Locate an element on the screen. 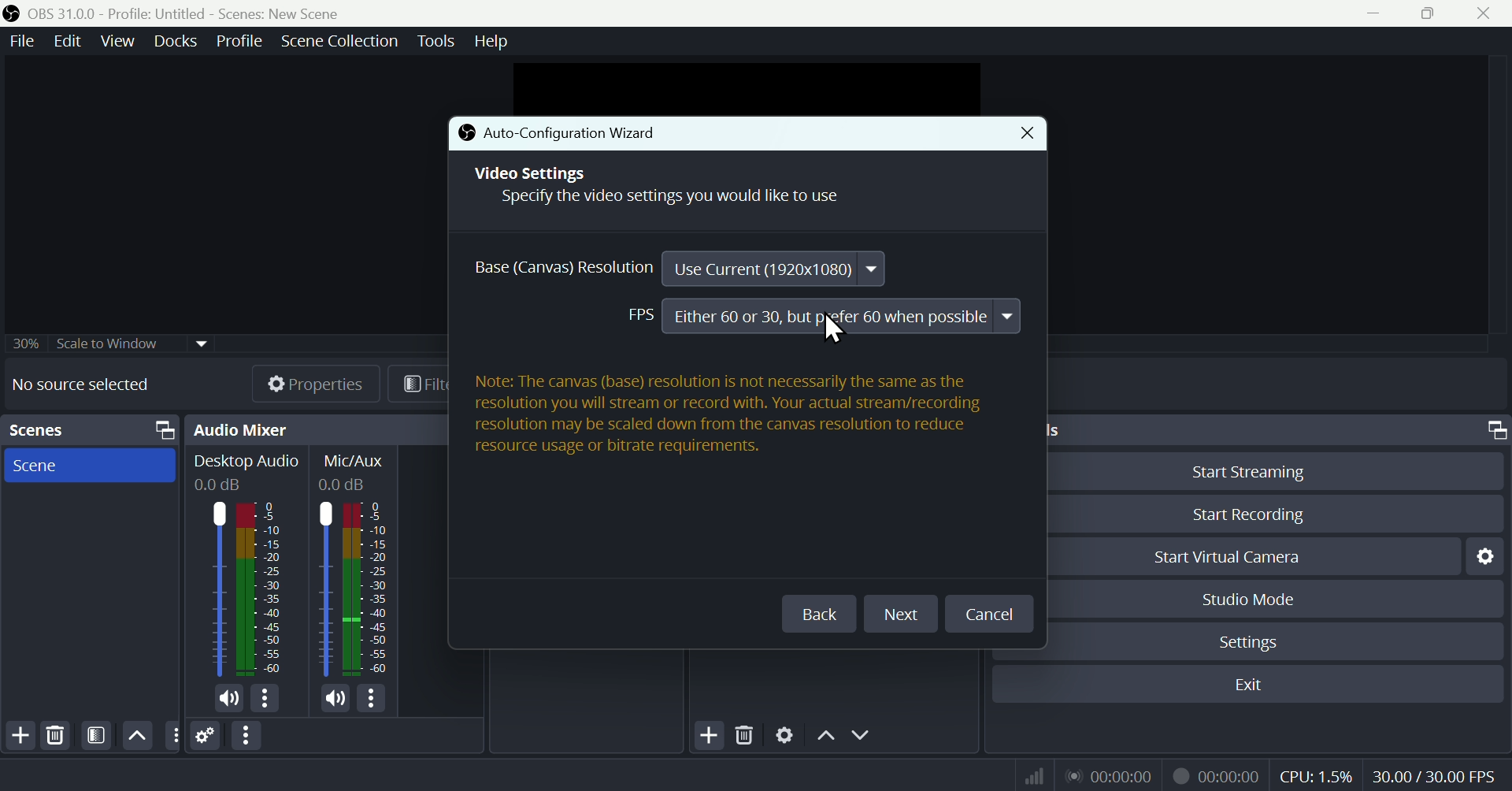  Exit is located at coordinates (1247, 685).